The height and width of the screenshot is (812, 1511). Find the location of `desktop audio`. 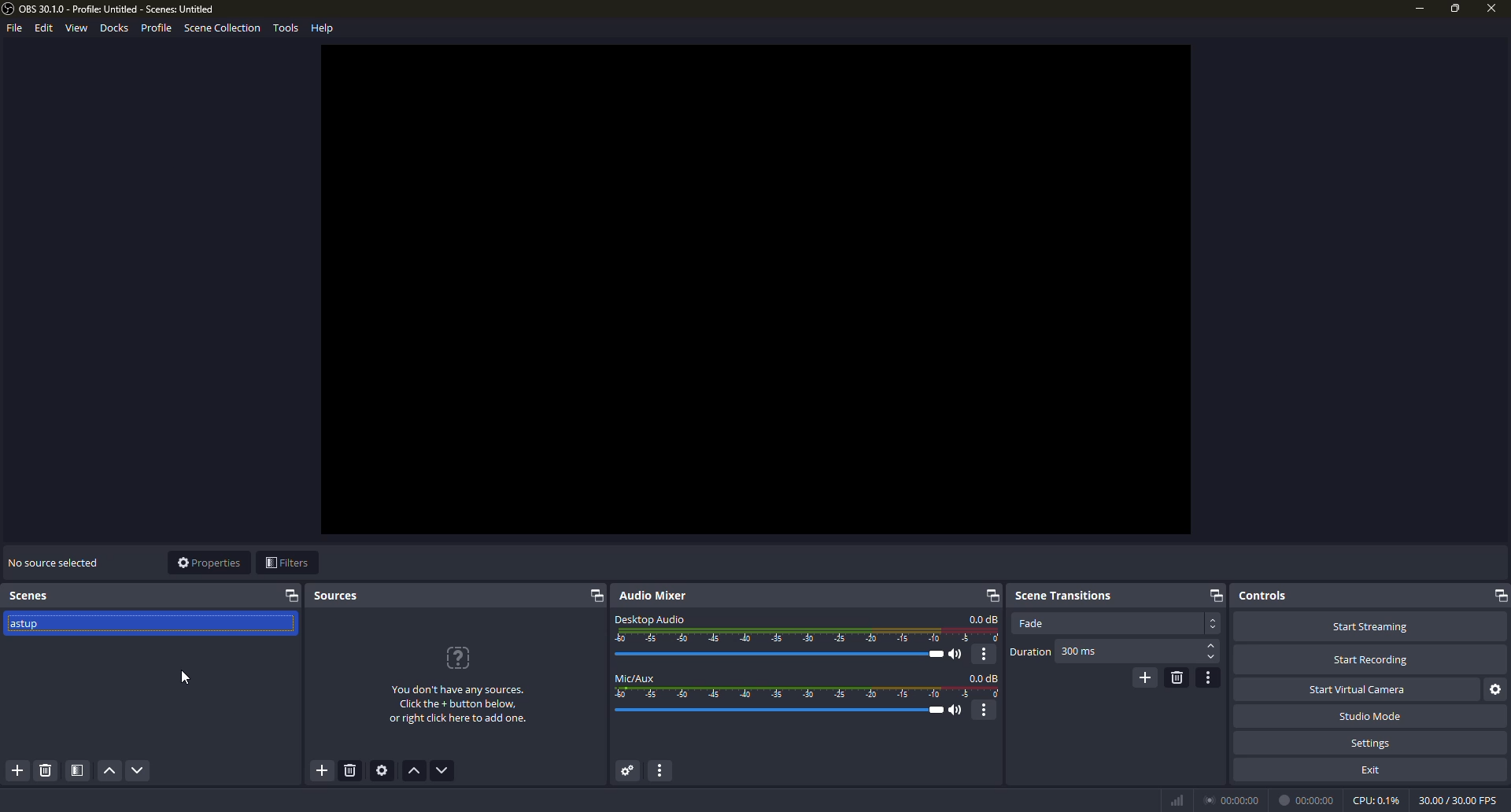

desktop audio is located at coordinates (650, 618).